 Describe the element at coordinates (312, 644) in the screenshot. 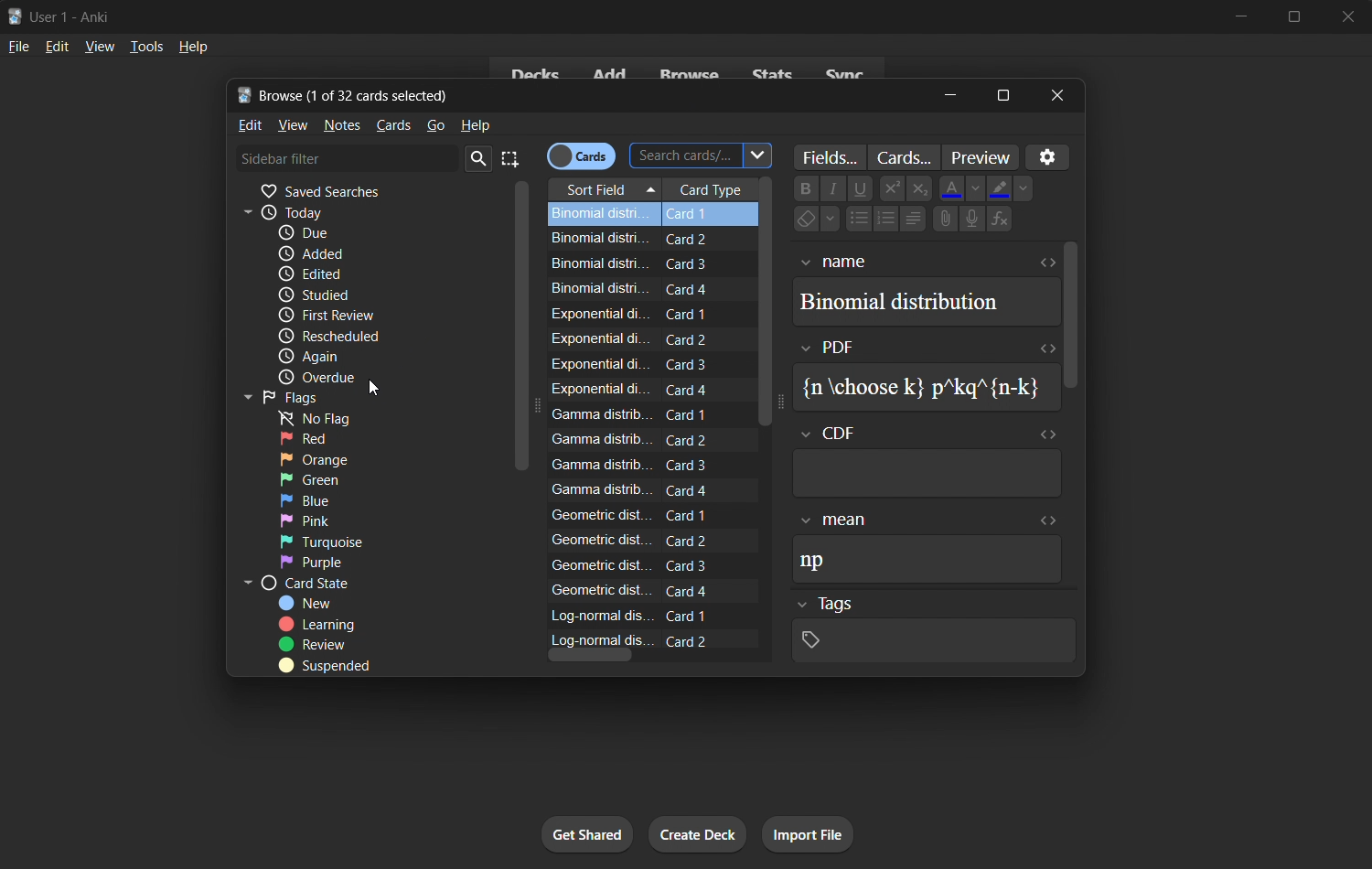

I see `review ` at that location.